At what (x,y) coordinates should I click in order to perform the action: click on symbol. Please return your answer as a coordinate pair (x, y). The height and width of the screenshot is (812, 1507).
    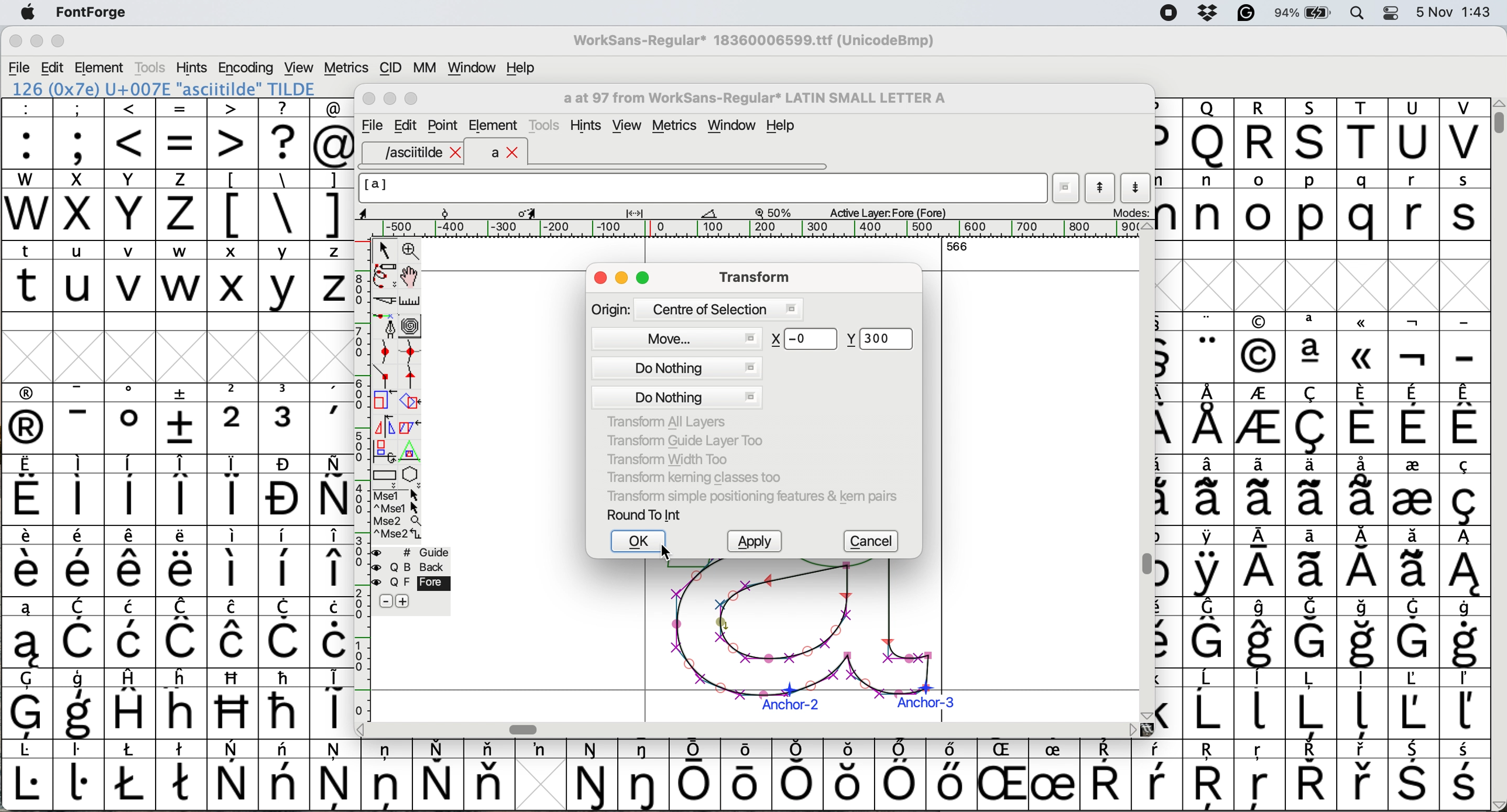
    Looking at the image, I should click on (1413, 562).